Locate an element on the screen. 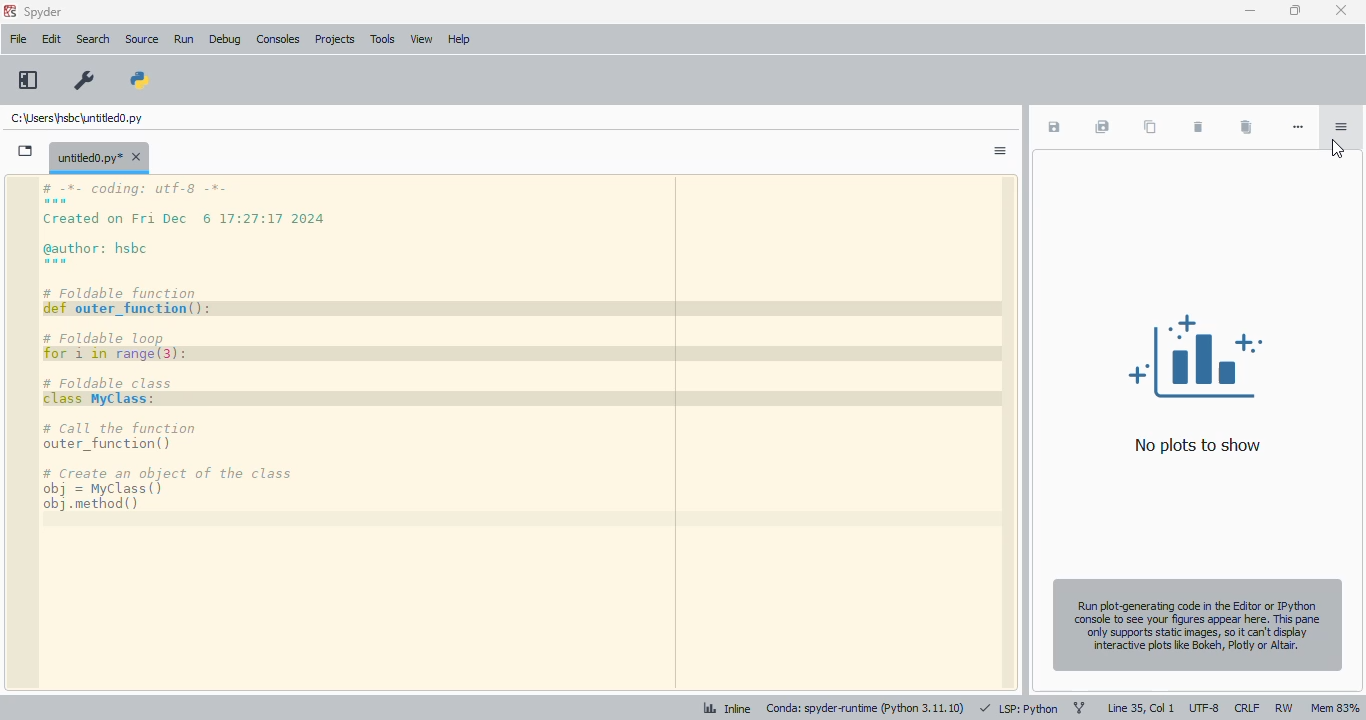 Image resolution: width=1366 pixels, height=720 pixels. UTF-8 is located at coordinates (1204, 709).